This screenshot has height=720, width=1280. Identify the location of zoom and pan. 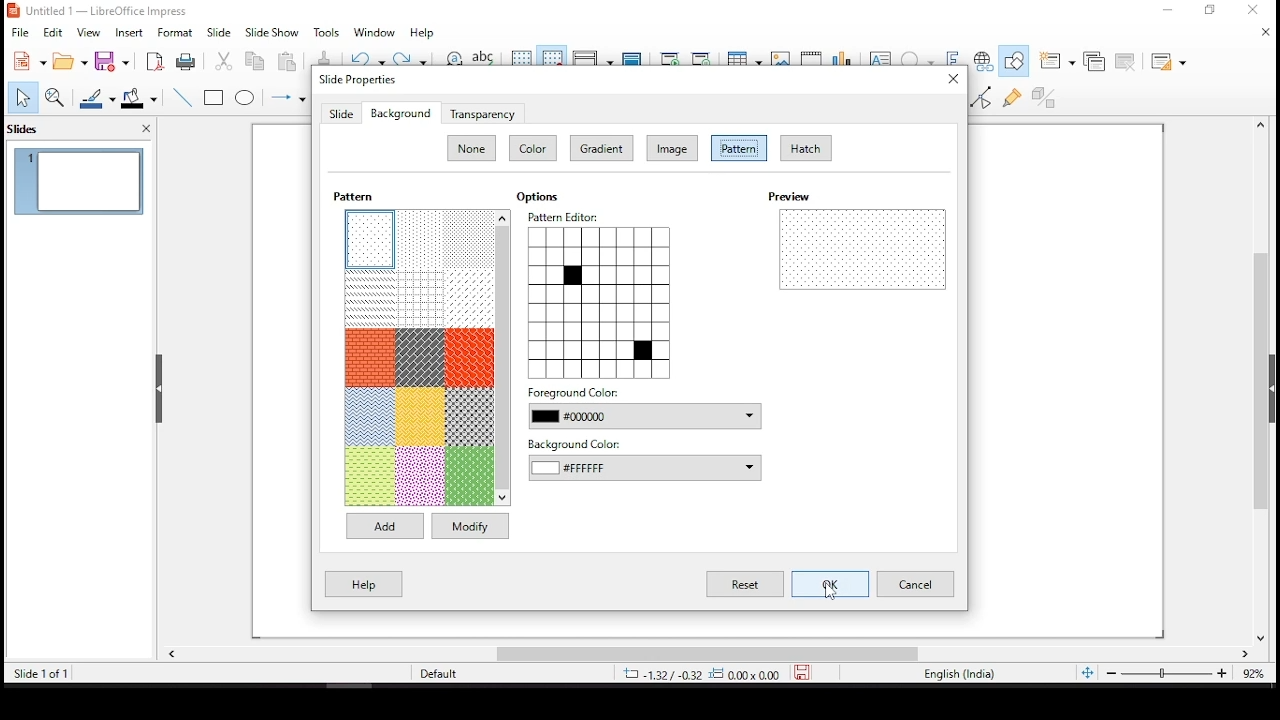
(58, 98).